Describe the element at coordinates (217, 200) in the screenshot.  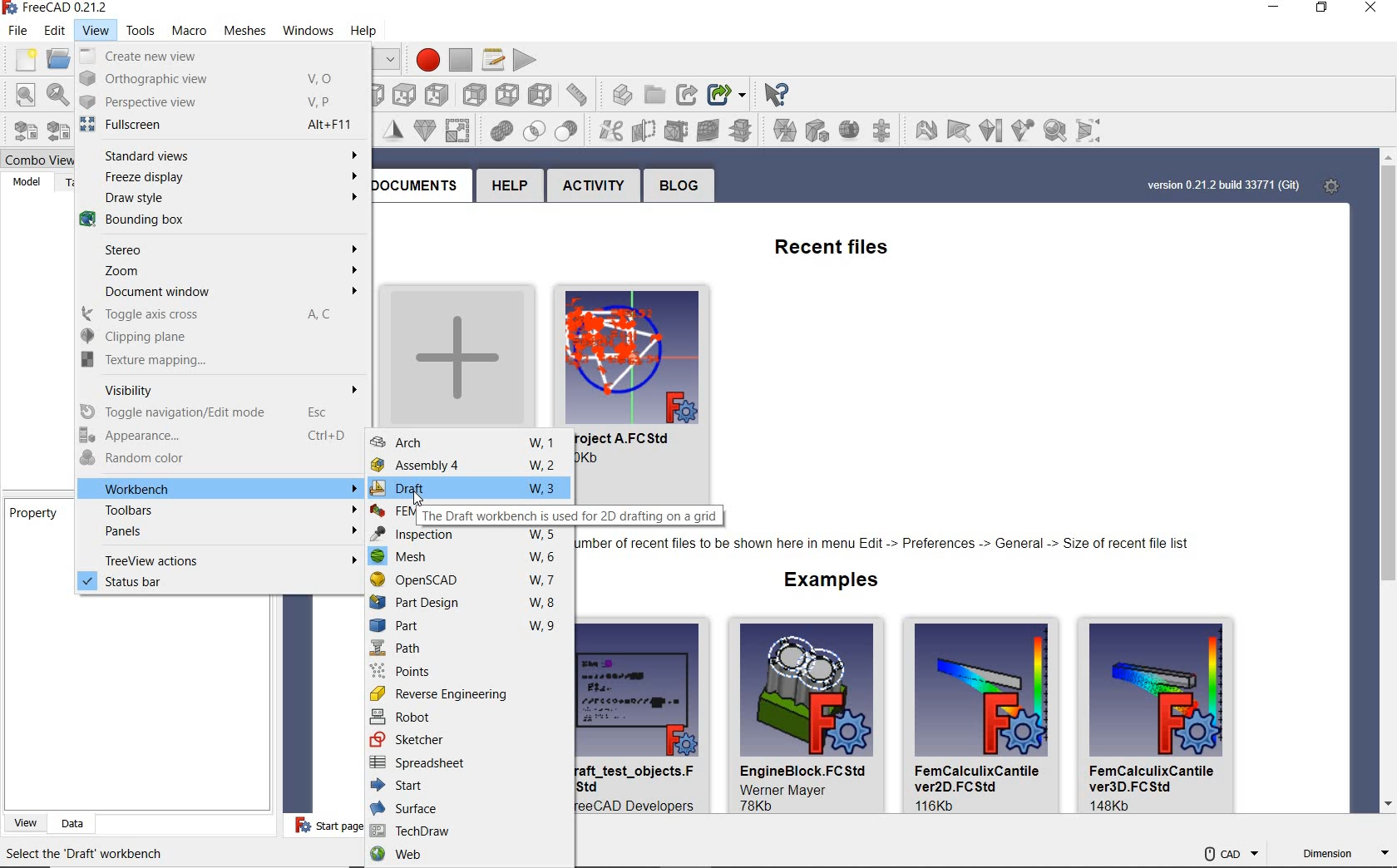
I see `draw style` at that location.